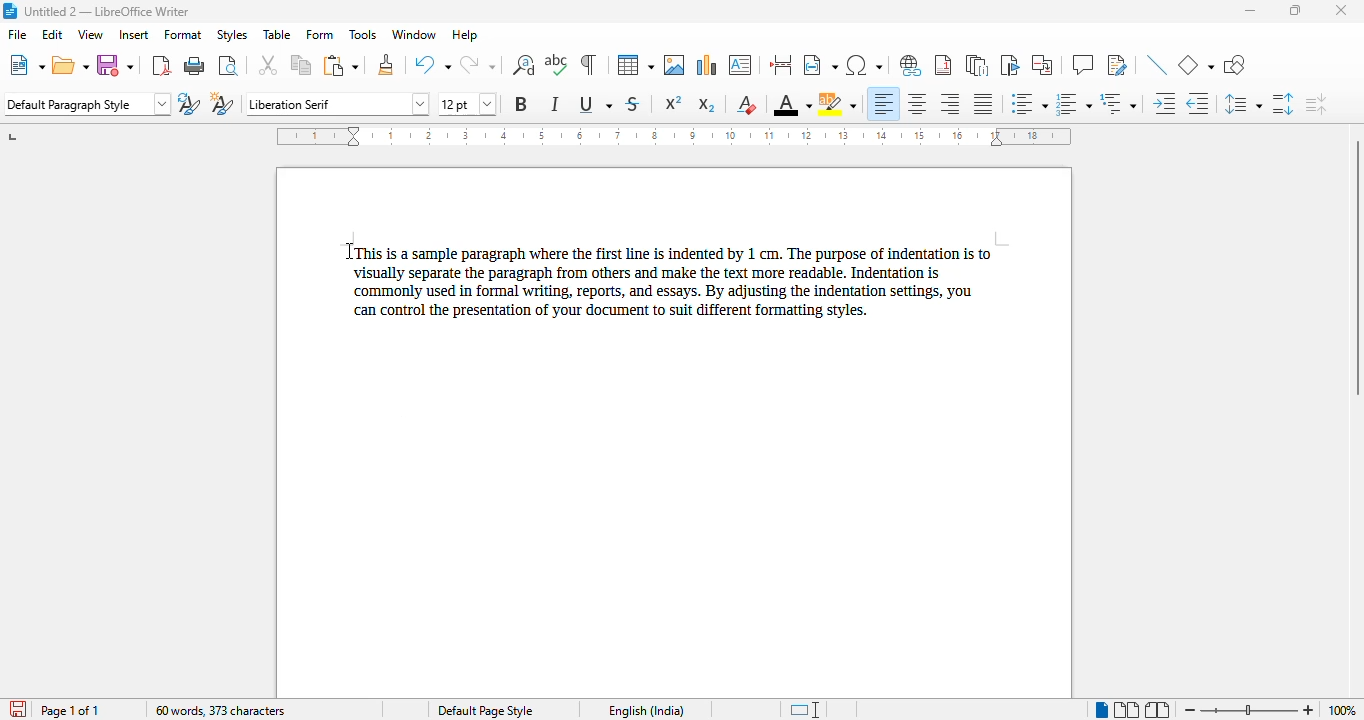 The width and height of the screenshot is (1364, 720). What do you see at coordinates (707, 105) in the screenshot?
I see `subscript` at bounding box center [707, 105].